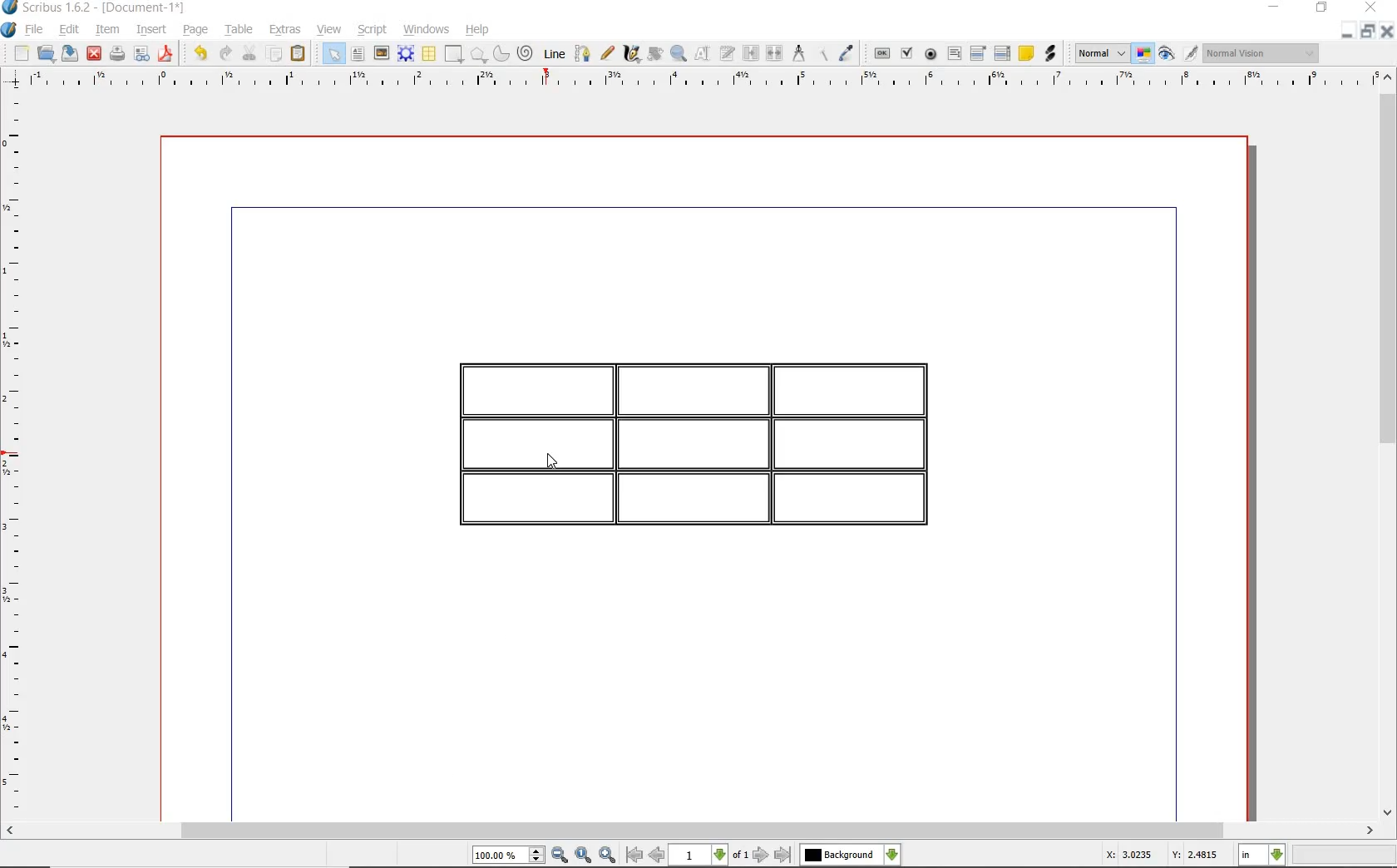 This screenshot has height=868, width=1397. I want to click on select current page, so click(709, 855).